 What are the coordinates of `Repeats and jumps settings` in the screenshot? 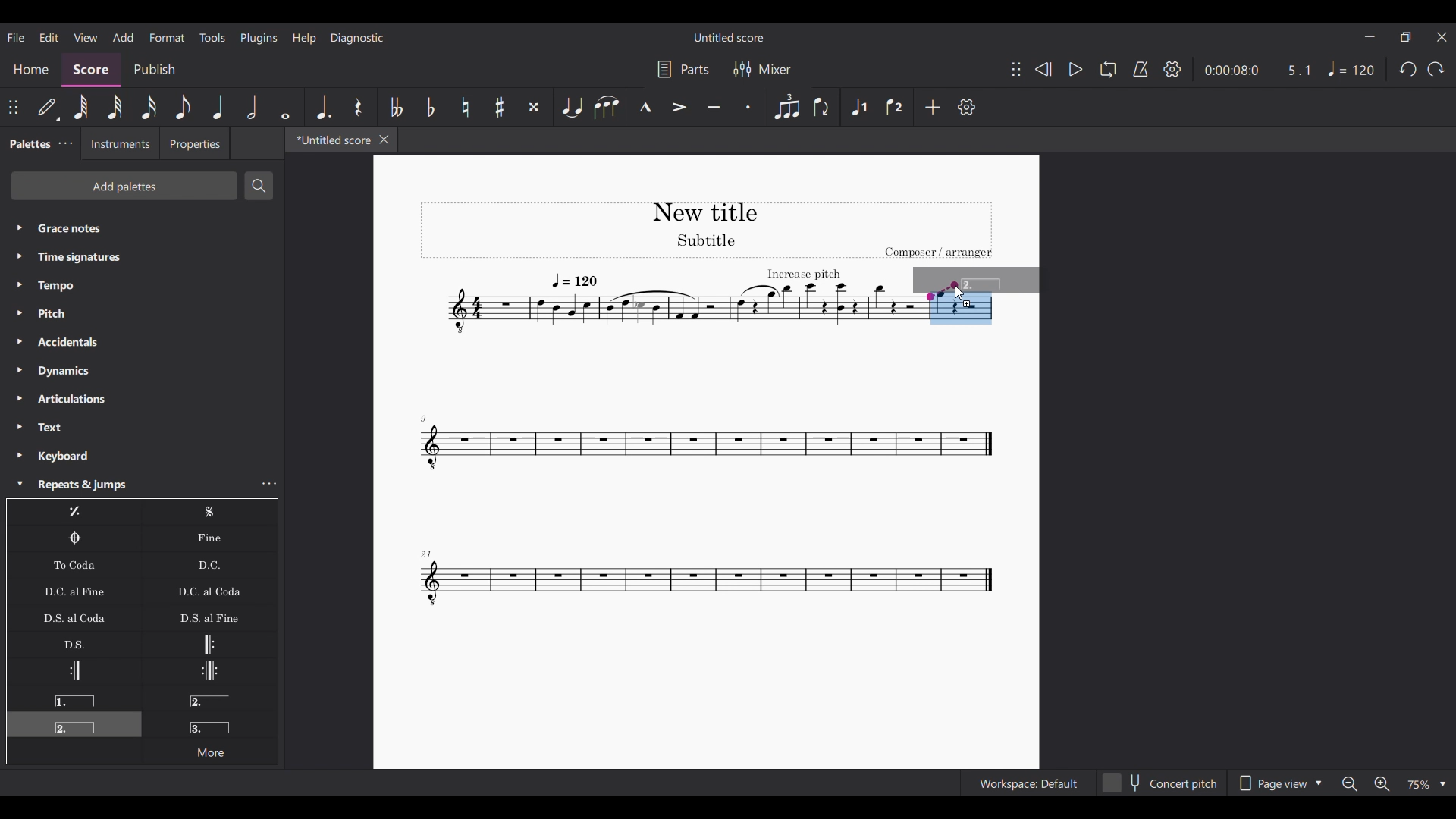 It's located at (270, 483).